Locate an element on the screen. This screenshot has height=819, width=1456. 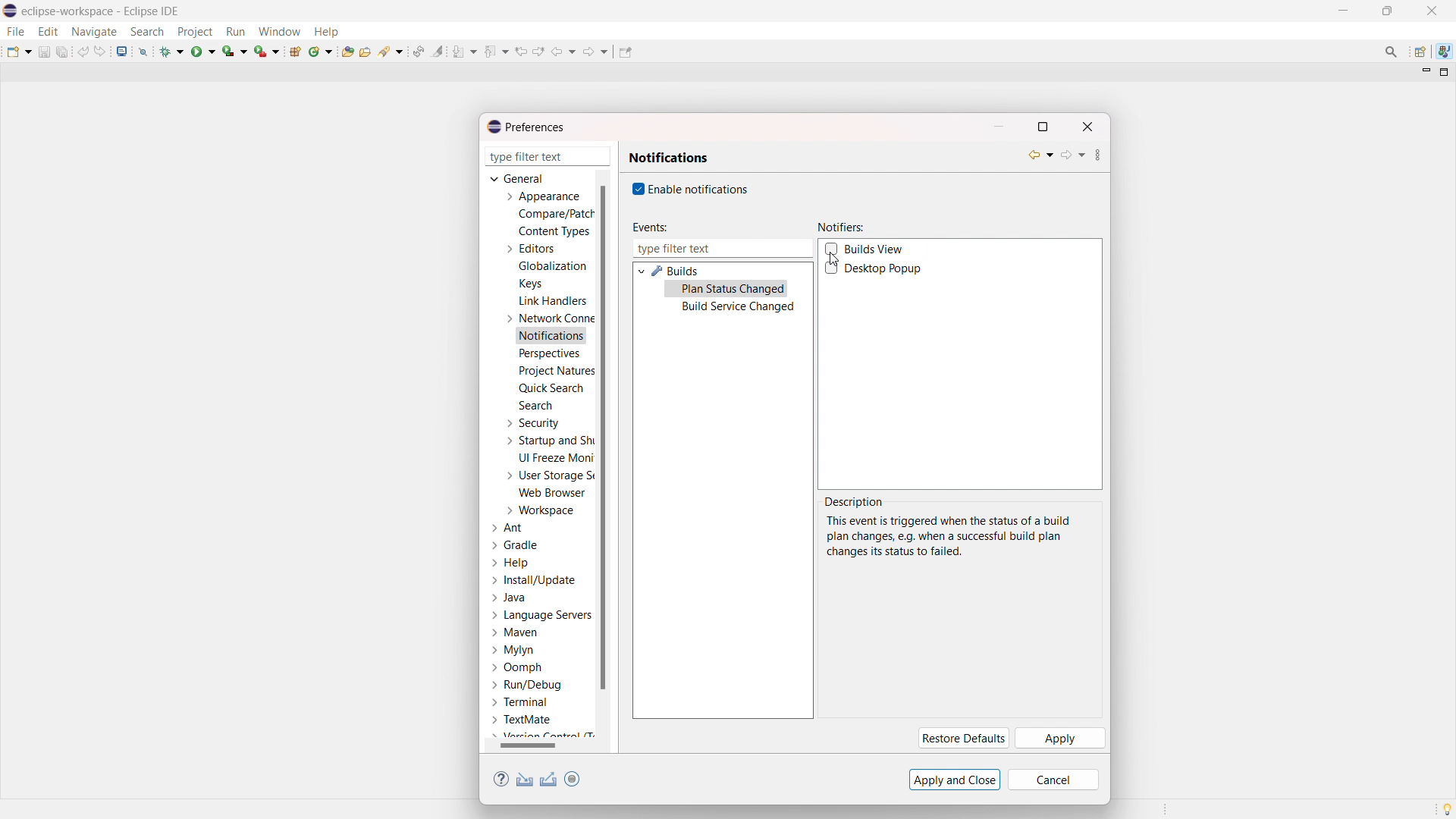
project natures is located at coordinates (555, 370).